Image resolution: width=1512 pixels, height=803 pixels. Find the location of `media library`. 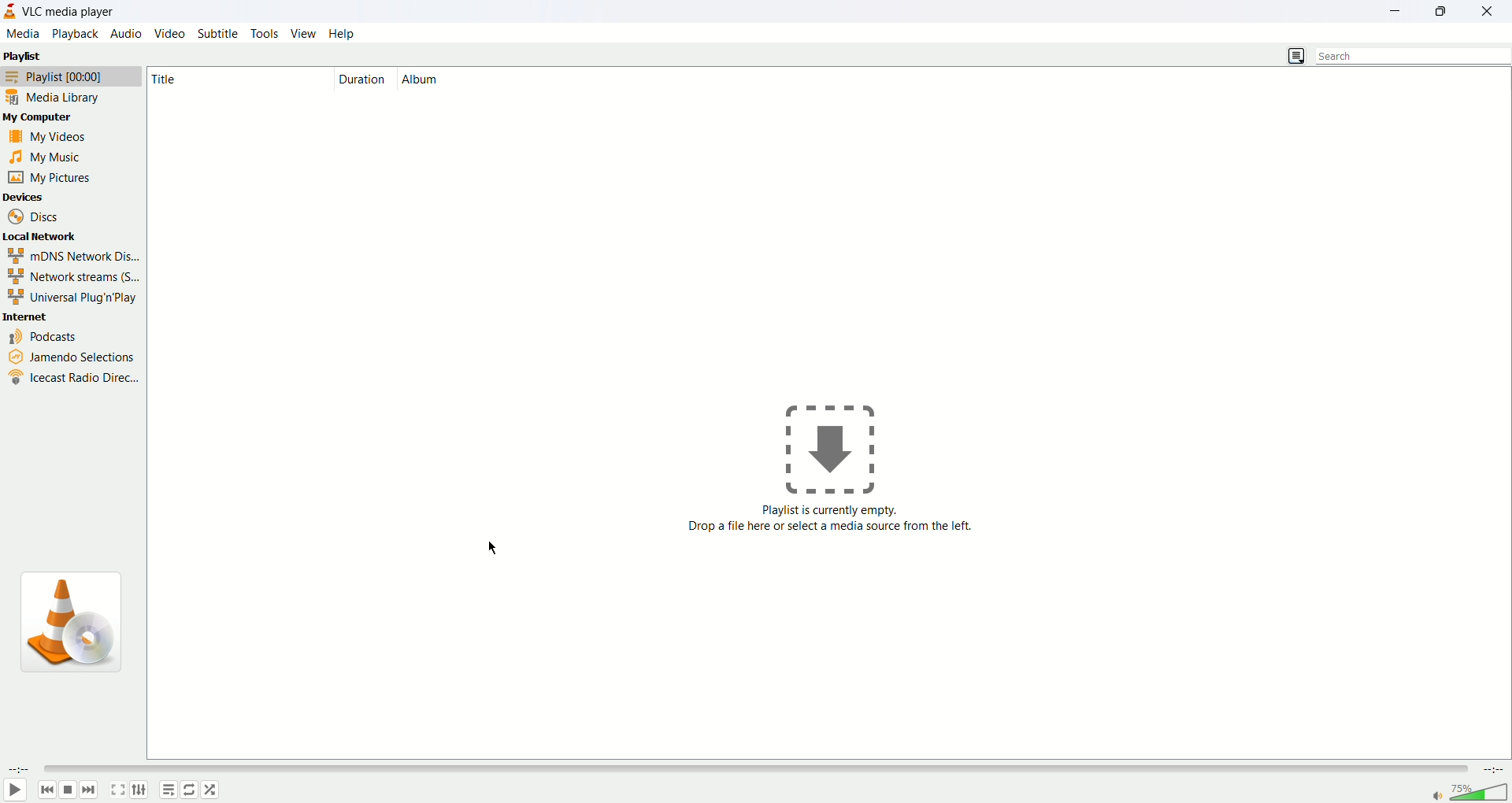

media library is located at coordinates (60, 98).